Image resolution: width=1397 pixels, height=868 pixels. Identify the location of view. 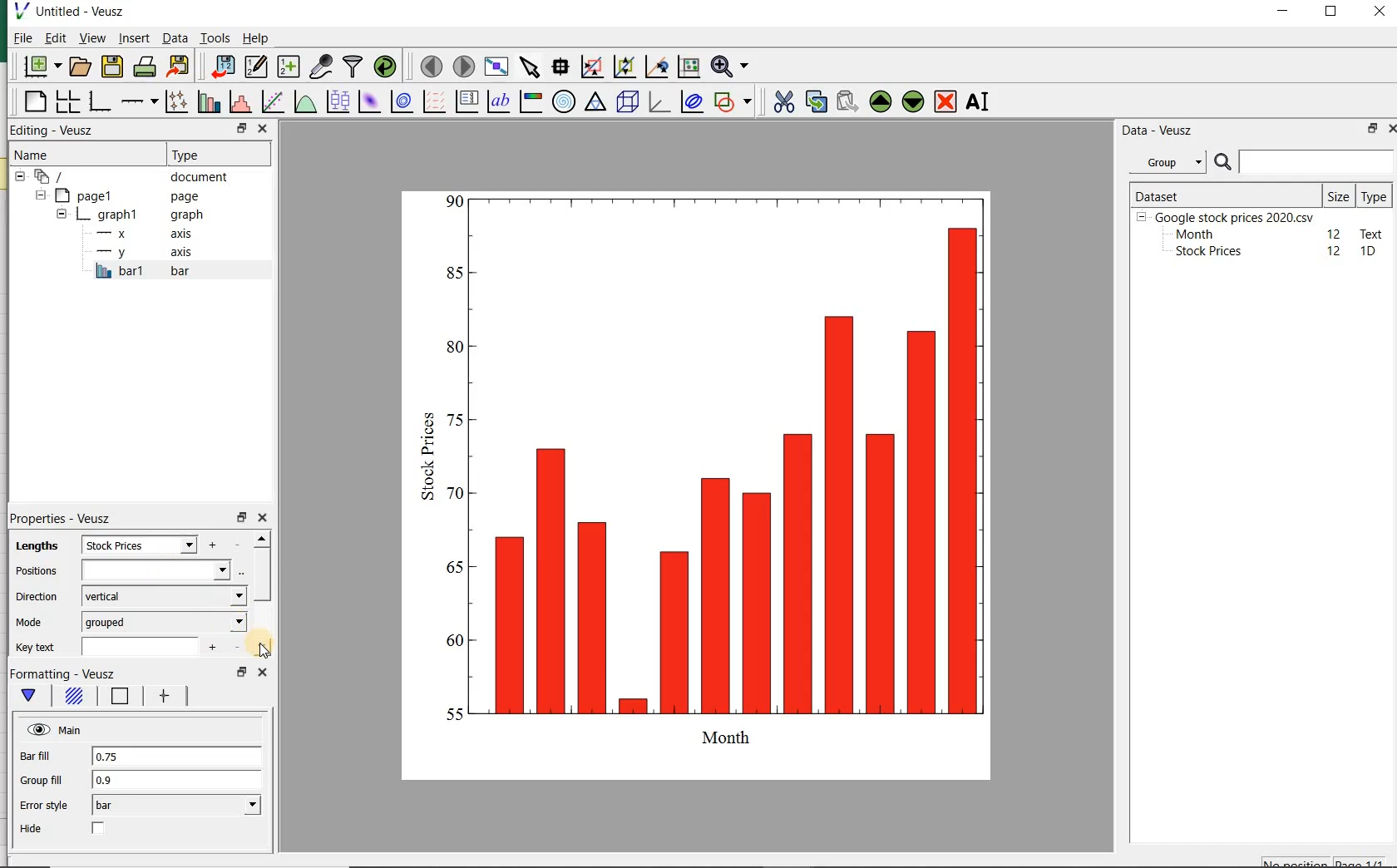
(92, 39).